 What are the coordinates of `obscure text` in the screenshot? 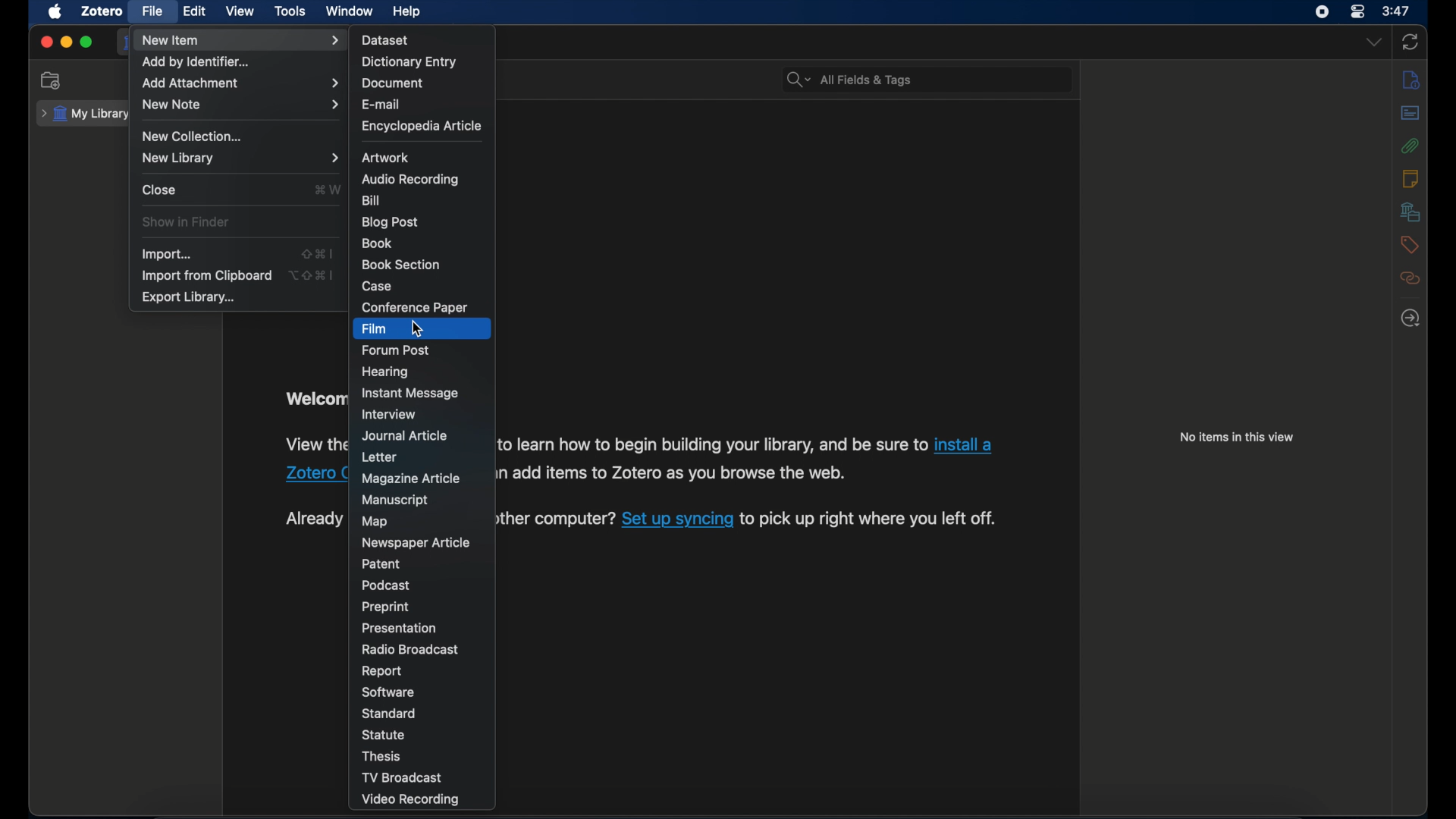 It's located at (314, 519).